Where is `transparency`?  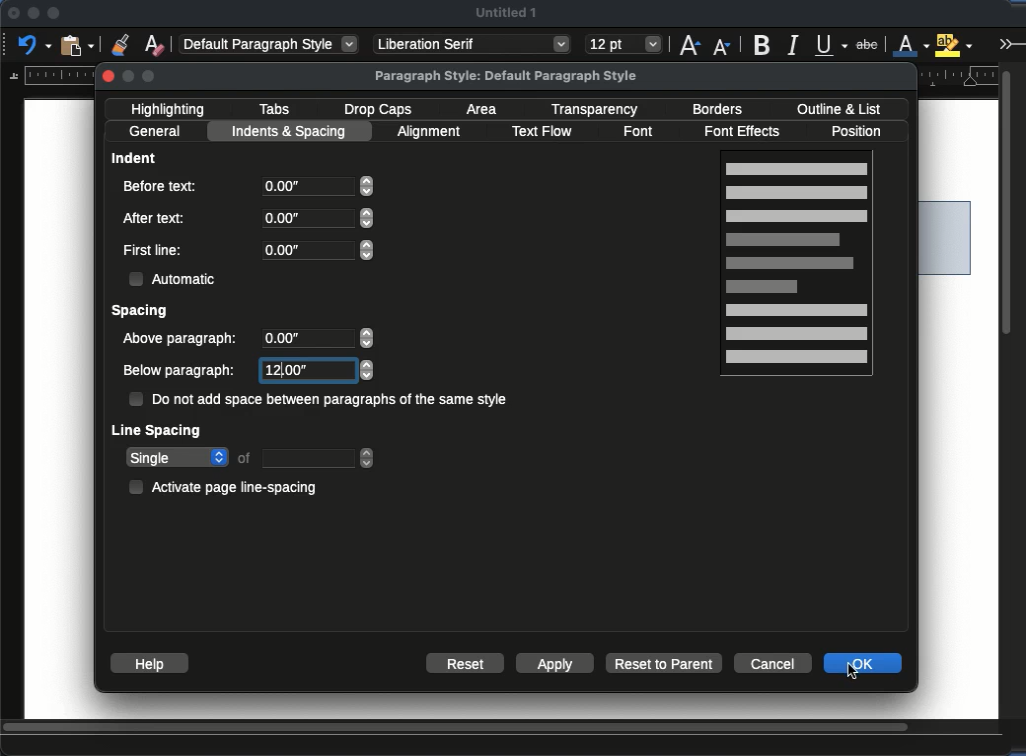
transparency is located at coordinates (596, 110).